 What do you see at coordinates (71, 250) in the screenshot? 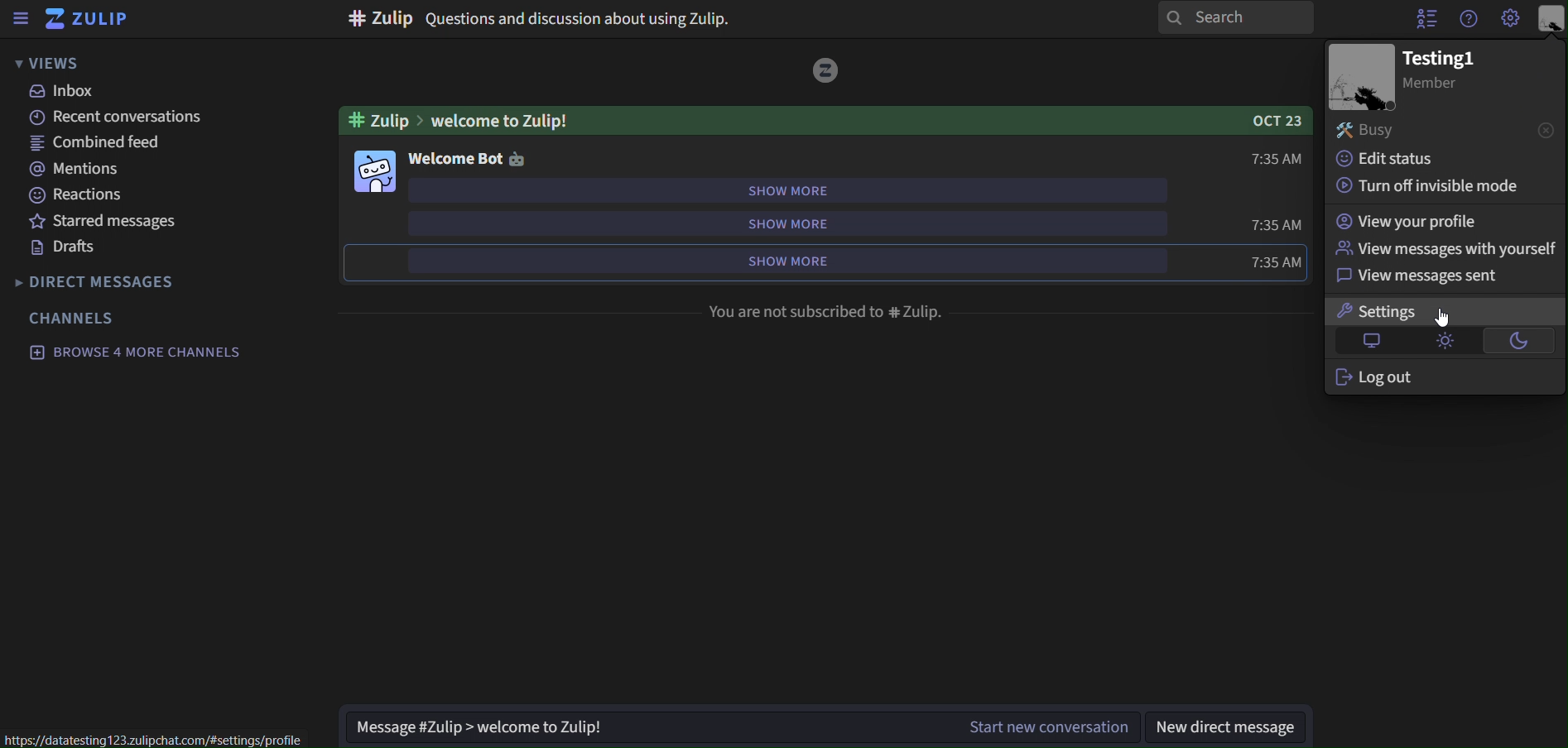
I see `drafts` at bounding box center [71, 250].